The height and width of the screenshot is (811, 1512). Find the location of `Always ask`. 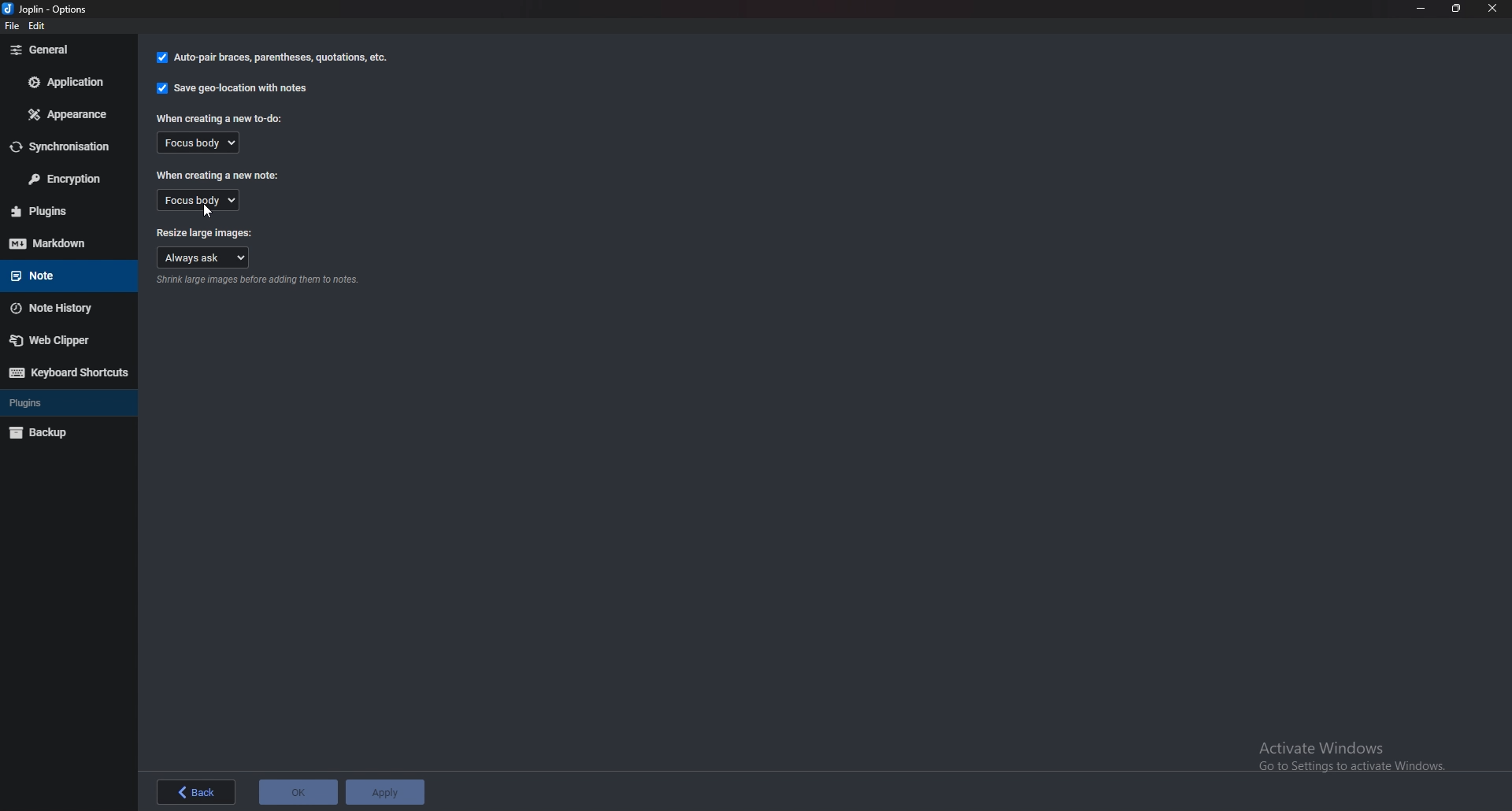

Always ask is located at coordinates (205, 257).